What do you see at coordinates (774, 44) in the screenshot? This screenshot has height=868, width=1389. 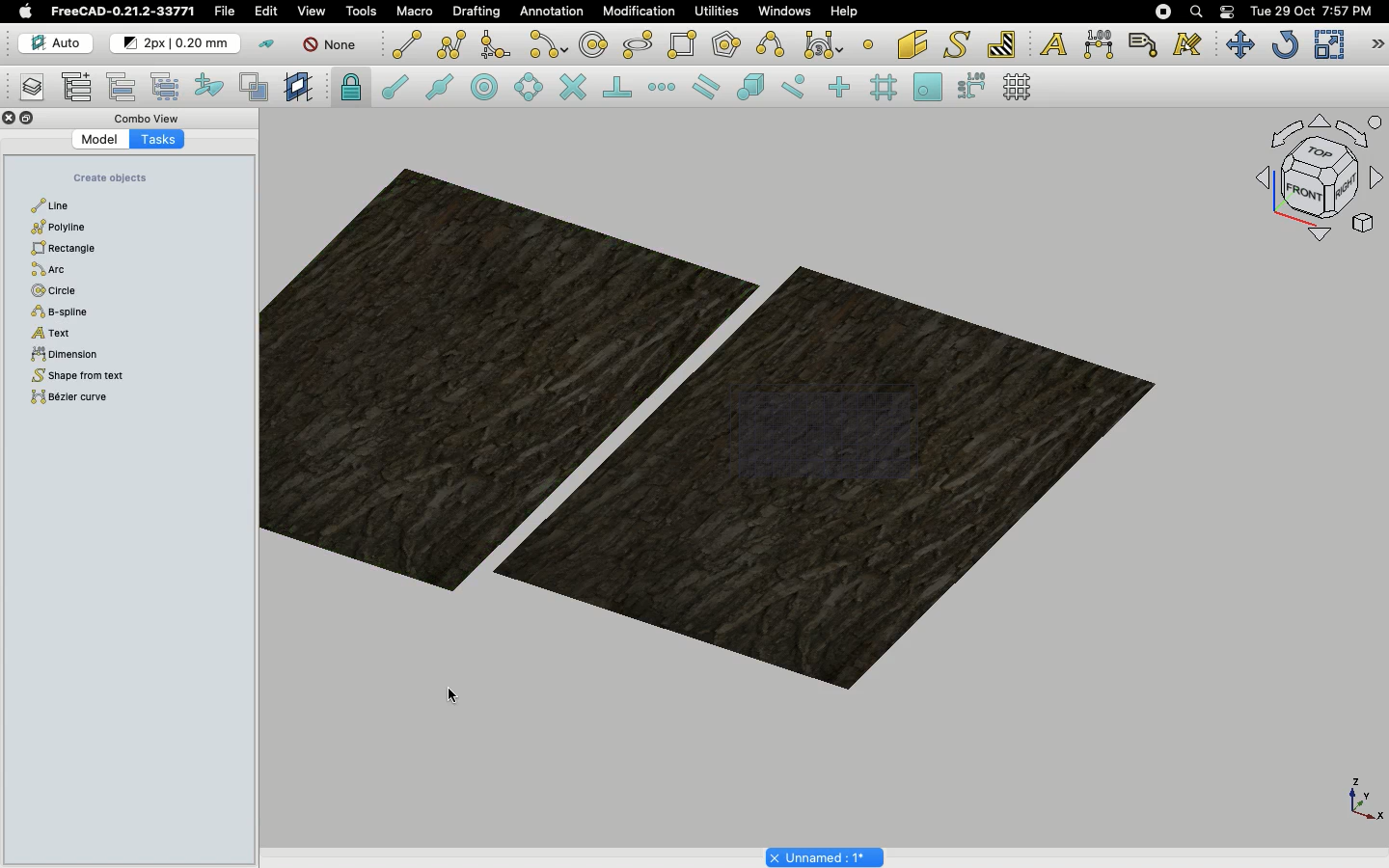 I see `B-spline` at bounding box center [774, 44].